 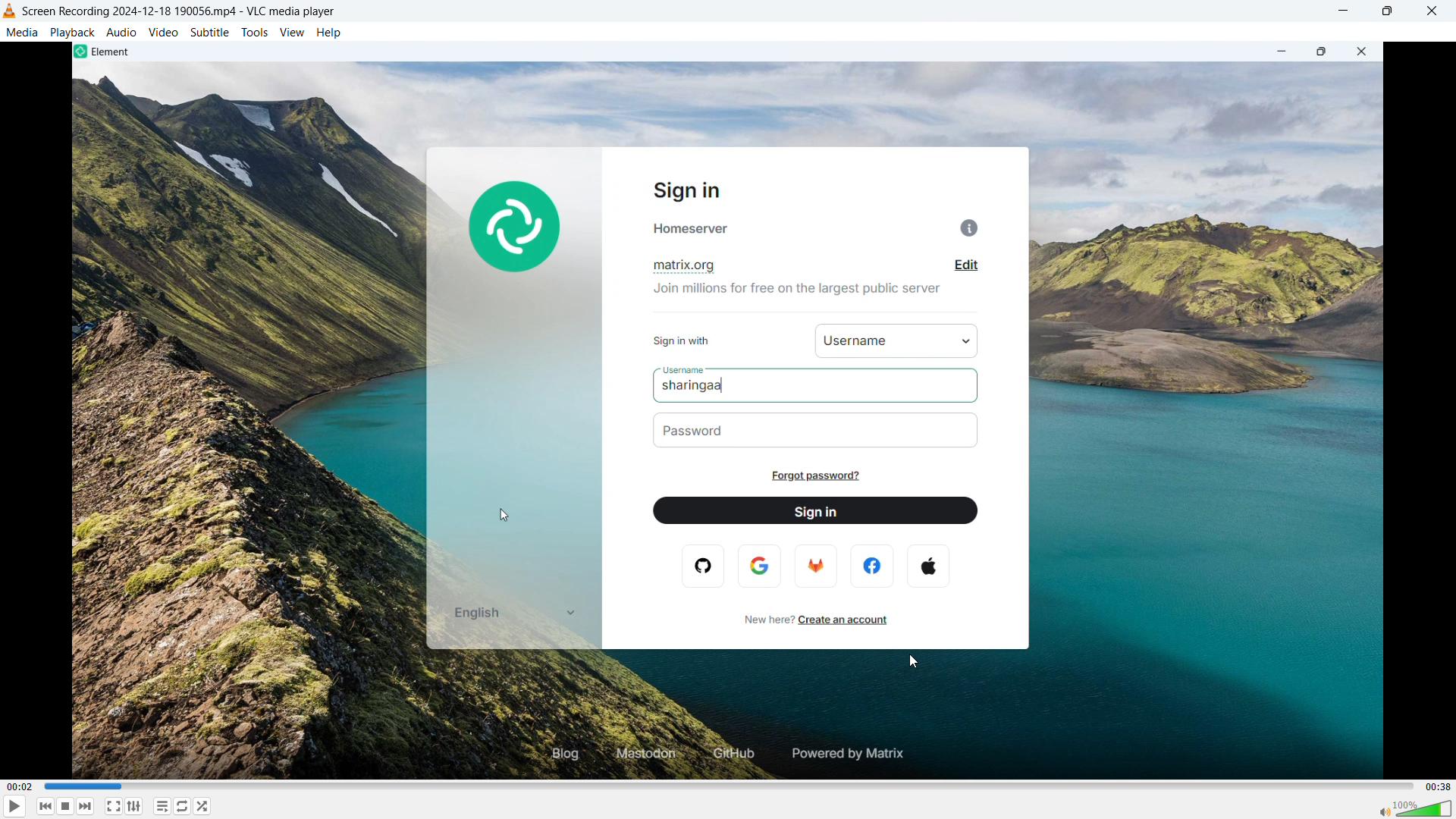 What do you see at coordinates (1432, 11) in the screenshot?
I see `Close ` at bounding box center [1432, 11].